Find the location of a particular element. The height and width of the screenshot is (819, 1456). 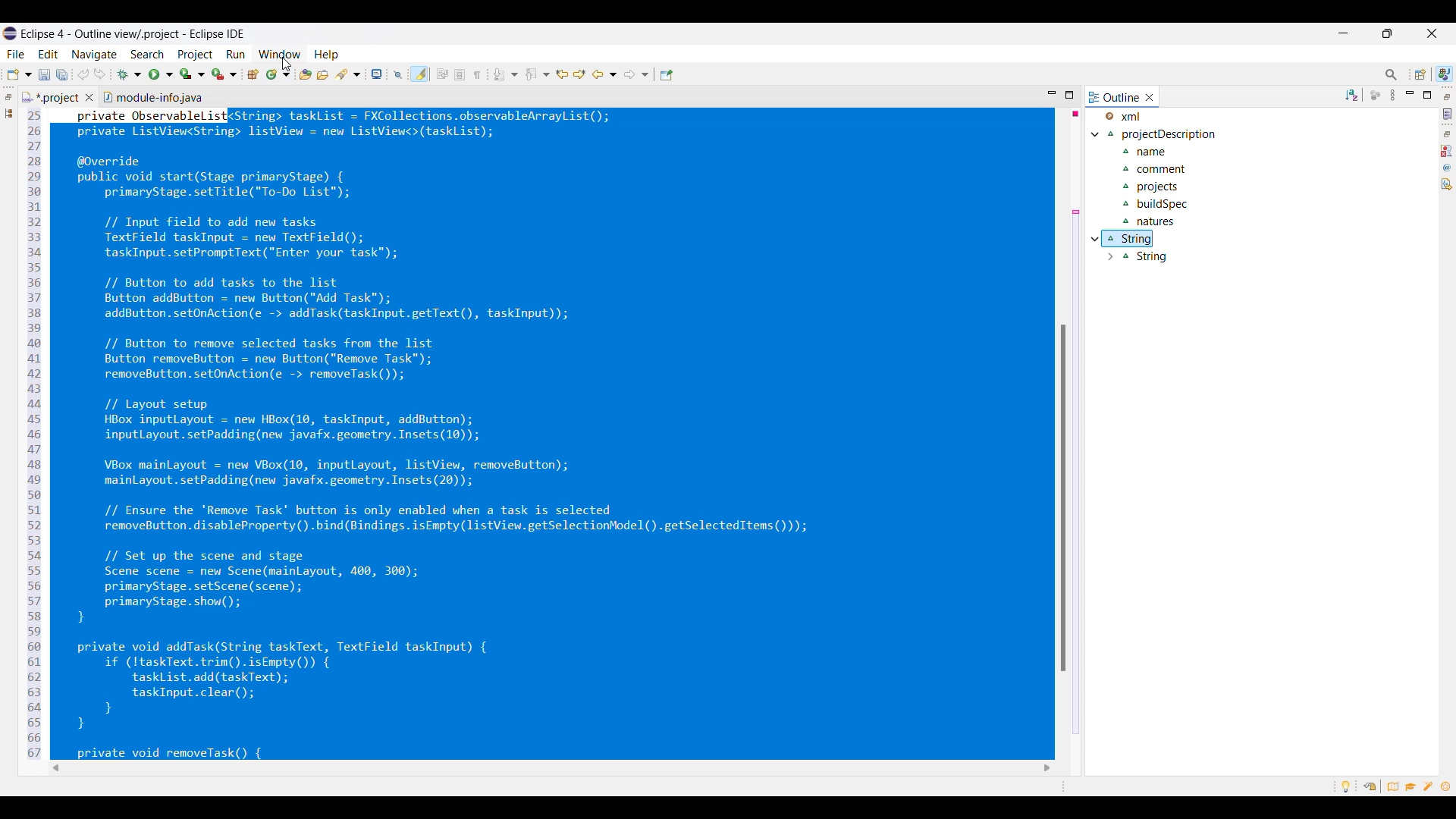

Tutorials is located at coordinates (1411, 786).